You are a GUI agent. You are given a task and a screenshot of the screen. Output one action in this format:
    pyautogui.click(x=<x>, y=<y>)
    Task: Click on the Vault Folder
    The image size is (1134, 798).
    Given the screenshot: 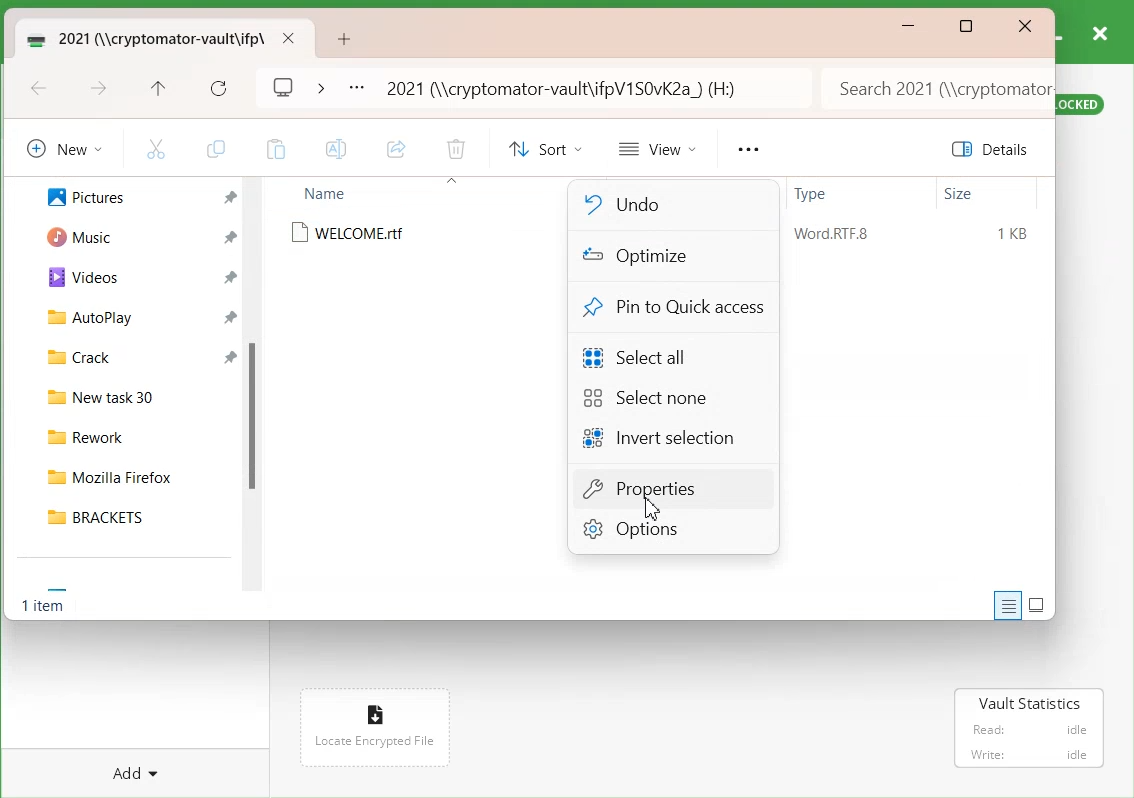 What is the action you would take?
    pyautogui.click(x=142, y=38)
    